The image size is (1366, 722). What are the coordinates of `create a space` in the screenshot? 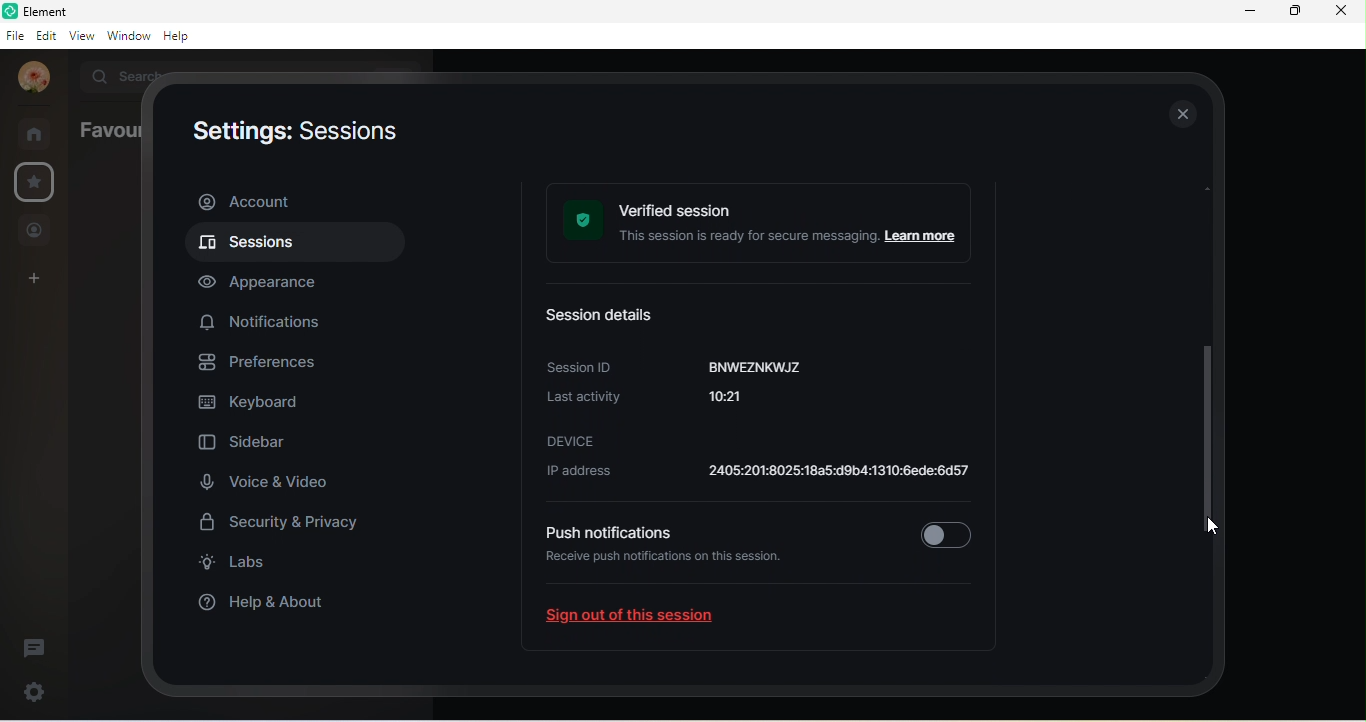 It's located at (38, 280).